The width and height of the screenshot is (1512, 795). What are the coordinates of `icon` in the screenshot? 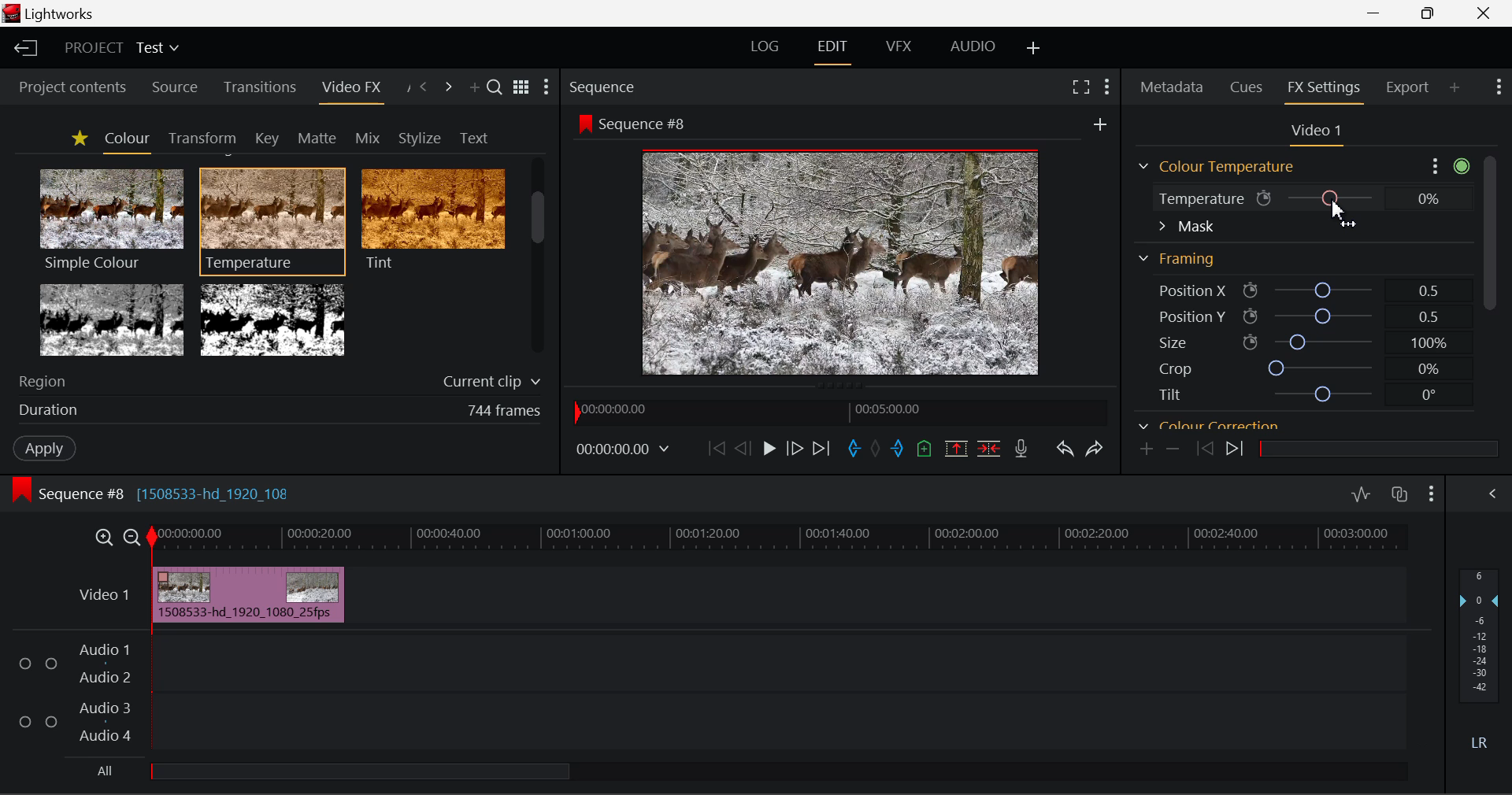 It's located at (1251, 316).